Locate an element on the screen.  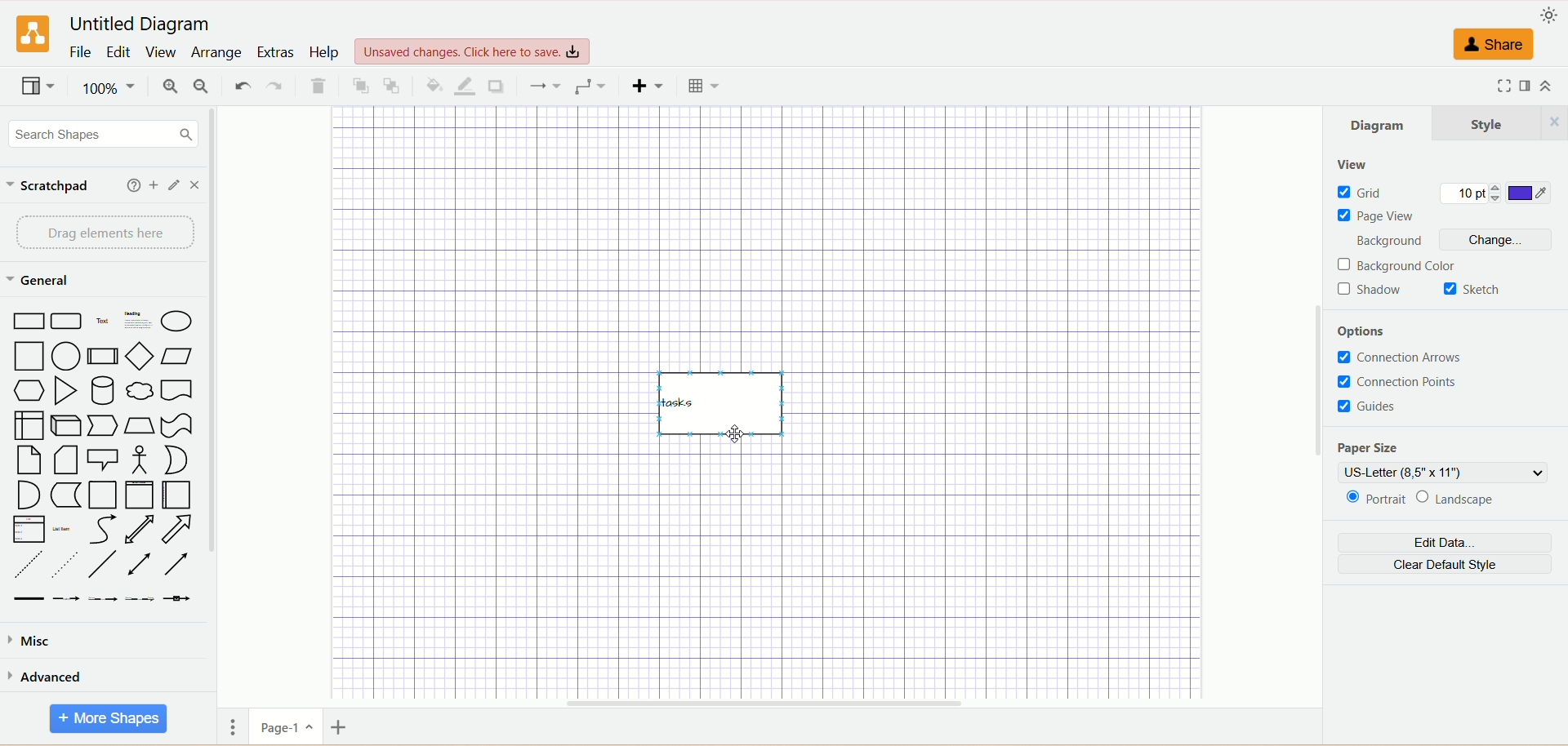
go front is located at coordinates (362, 85).